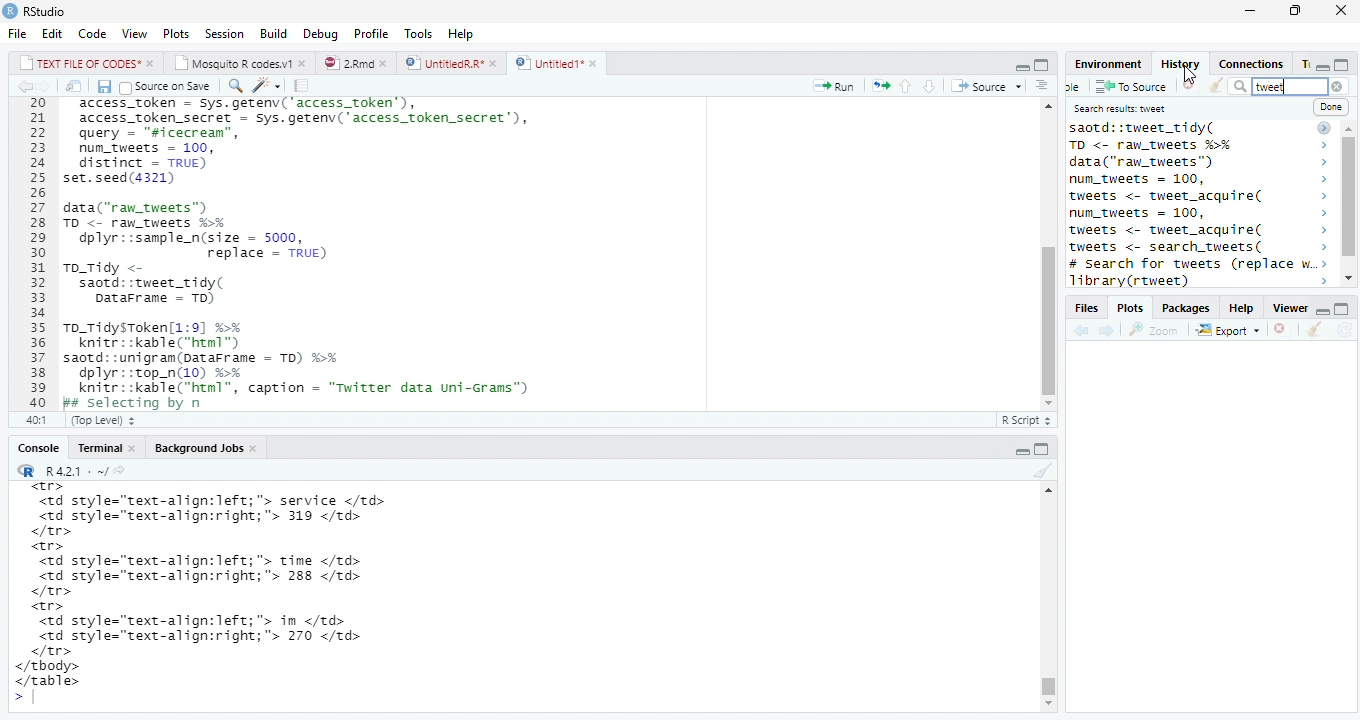 Image resolution: width=1360 pixels, height=720 pixels. What do you see at coordinates (1024, 420) in the screenshot?
I see `R Script ` at bounding box center [1024, 420].